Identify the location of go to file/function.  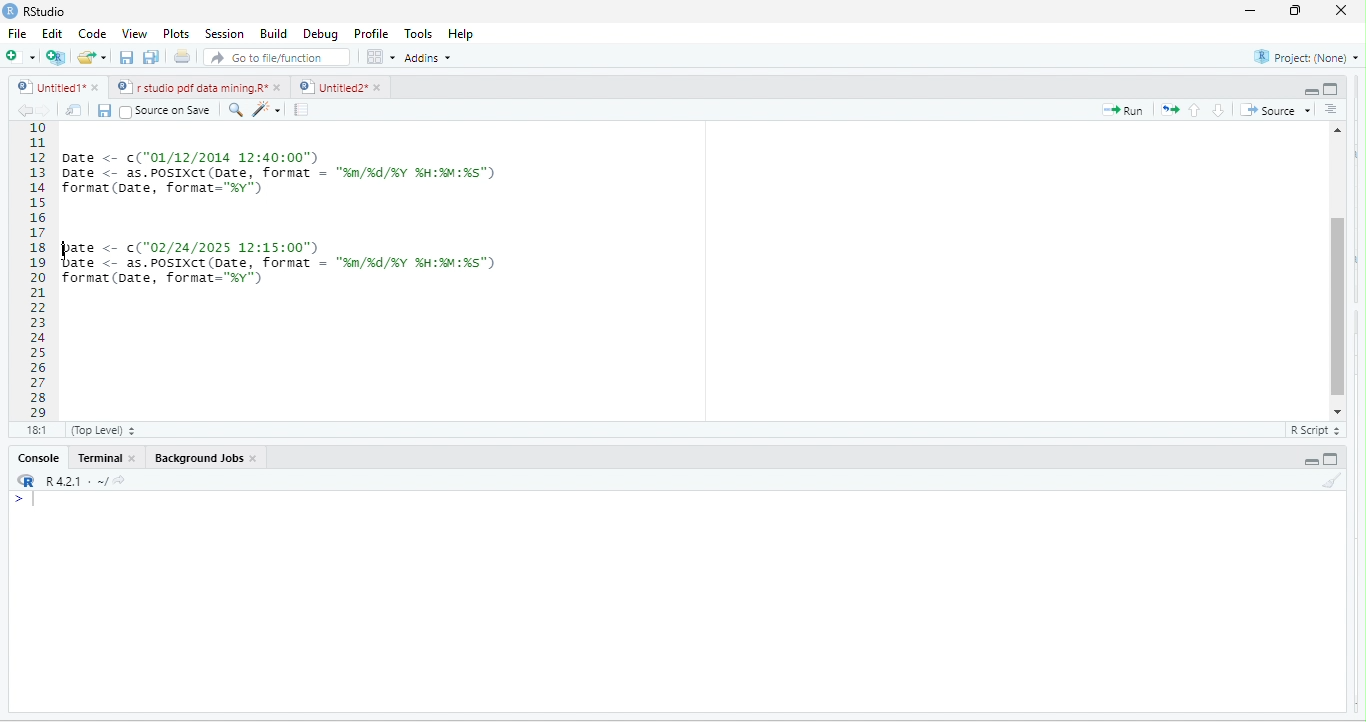
(272, 60).